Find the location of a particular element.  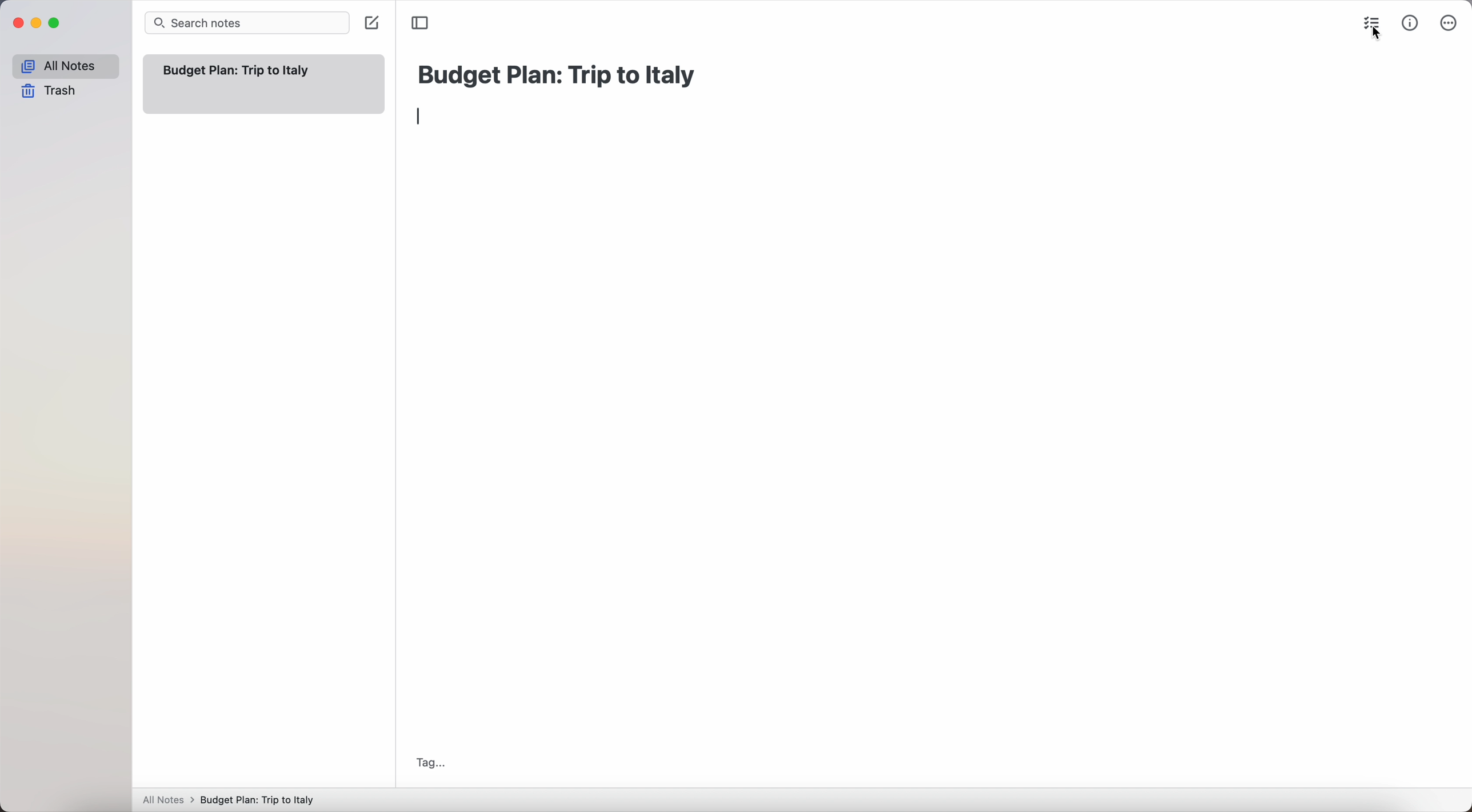

create note is located at coordinates (371, 24).